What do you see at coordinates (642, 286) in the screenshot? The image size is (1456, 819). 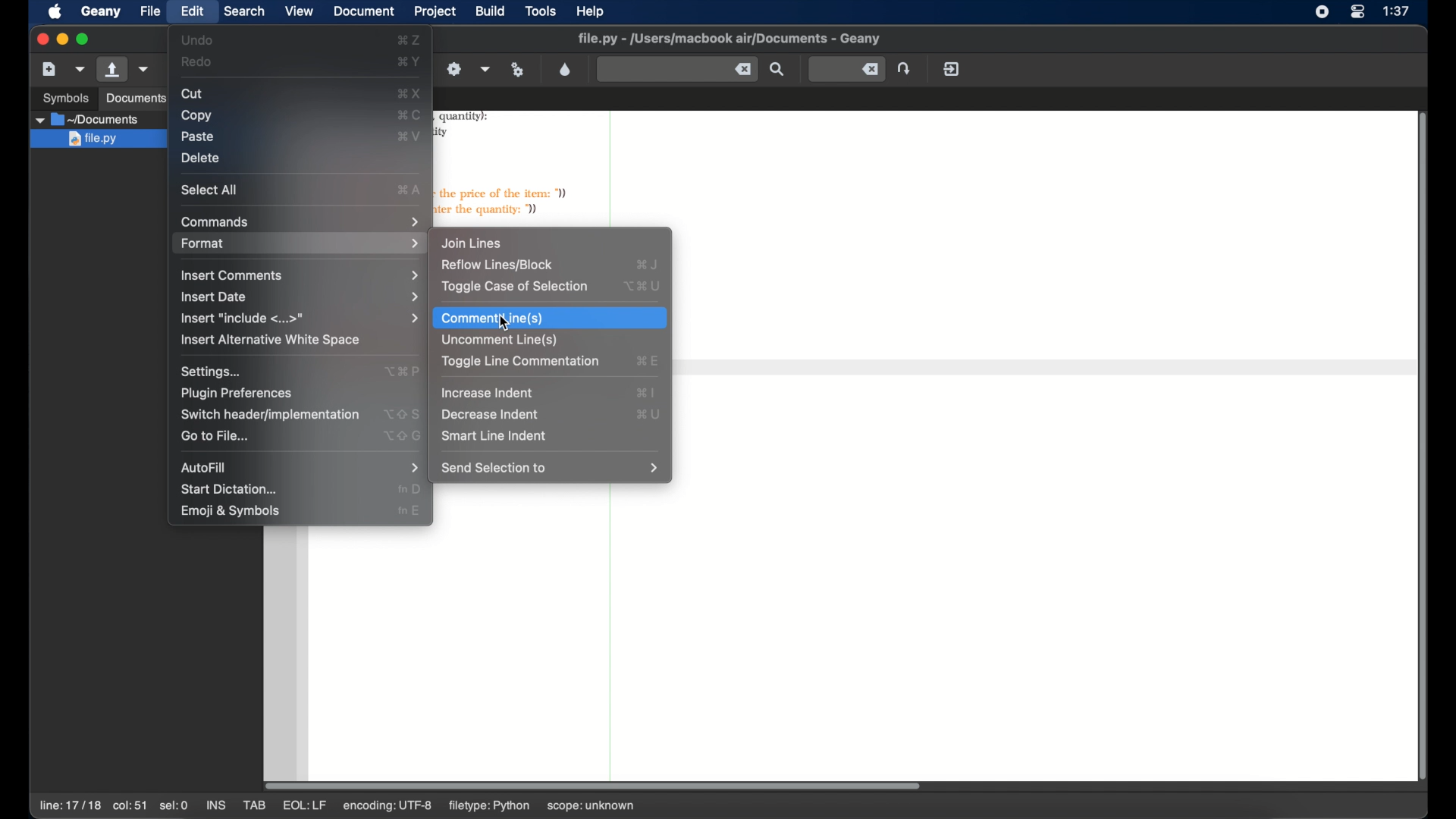 I see `toggle case of selection shortcut` at bounding box center [642, 286].